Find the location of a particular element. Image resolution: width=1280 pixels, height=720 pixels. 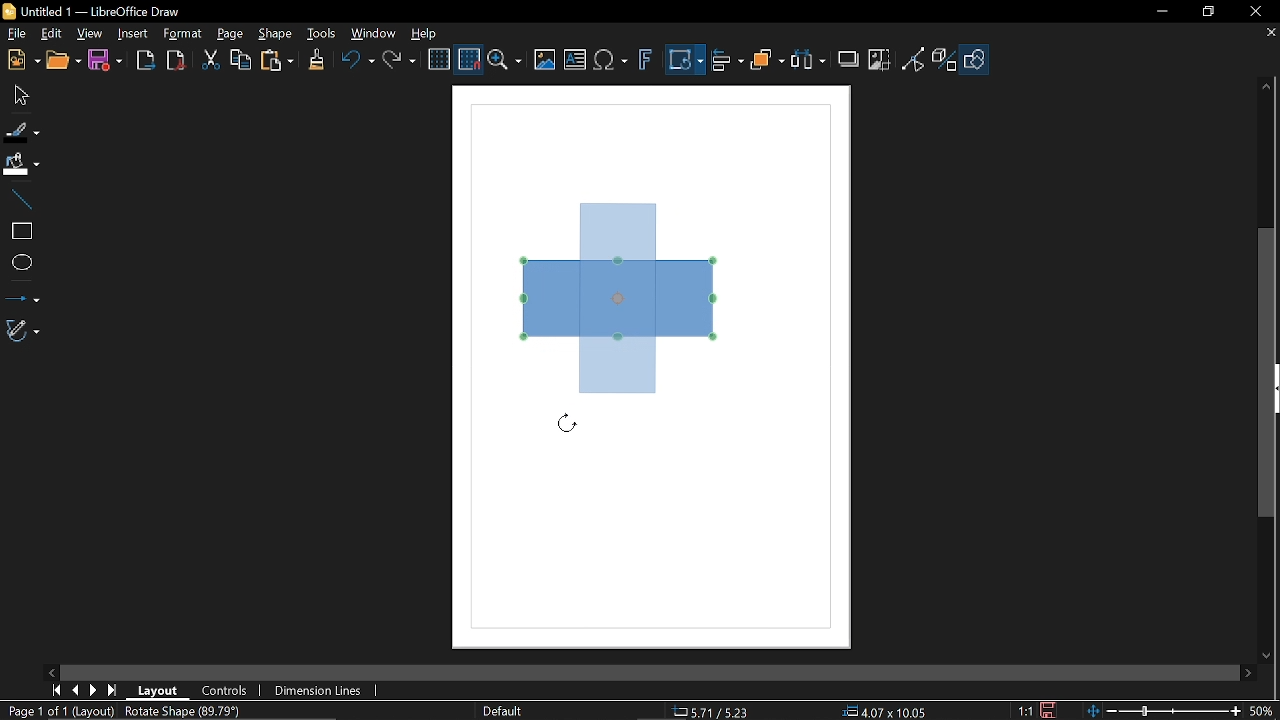

Page is located at coordinates (230, 33).